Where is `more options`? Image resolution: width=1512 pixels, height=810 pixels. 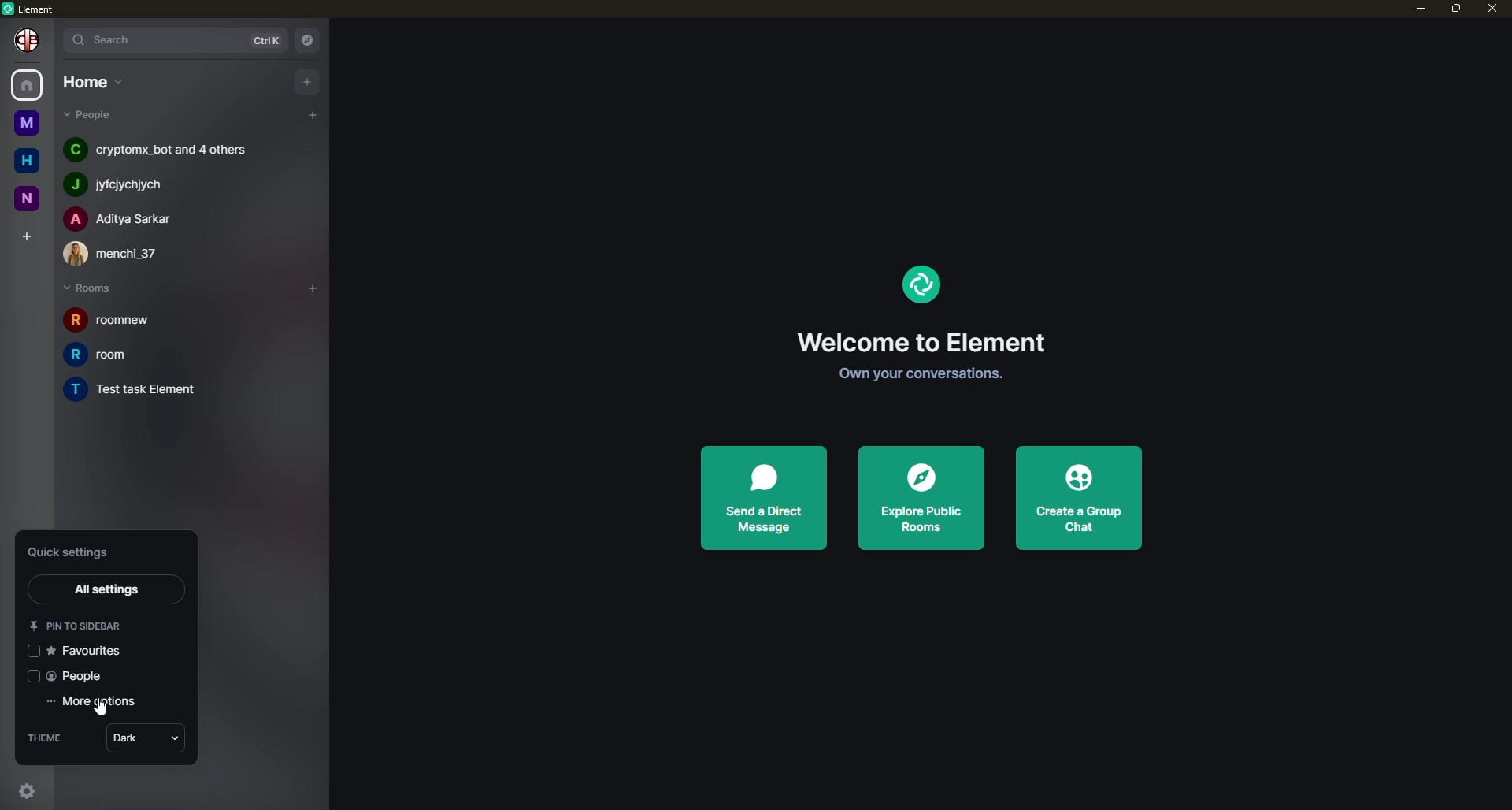 more options is located at coordinates (99, 703).